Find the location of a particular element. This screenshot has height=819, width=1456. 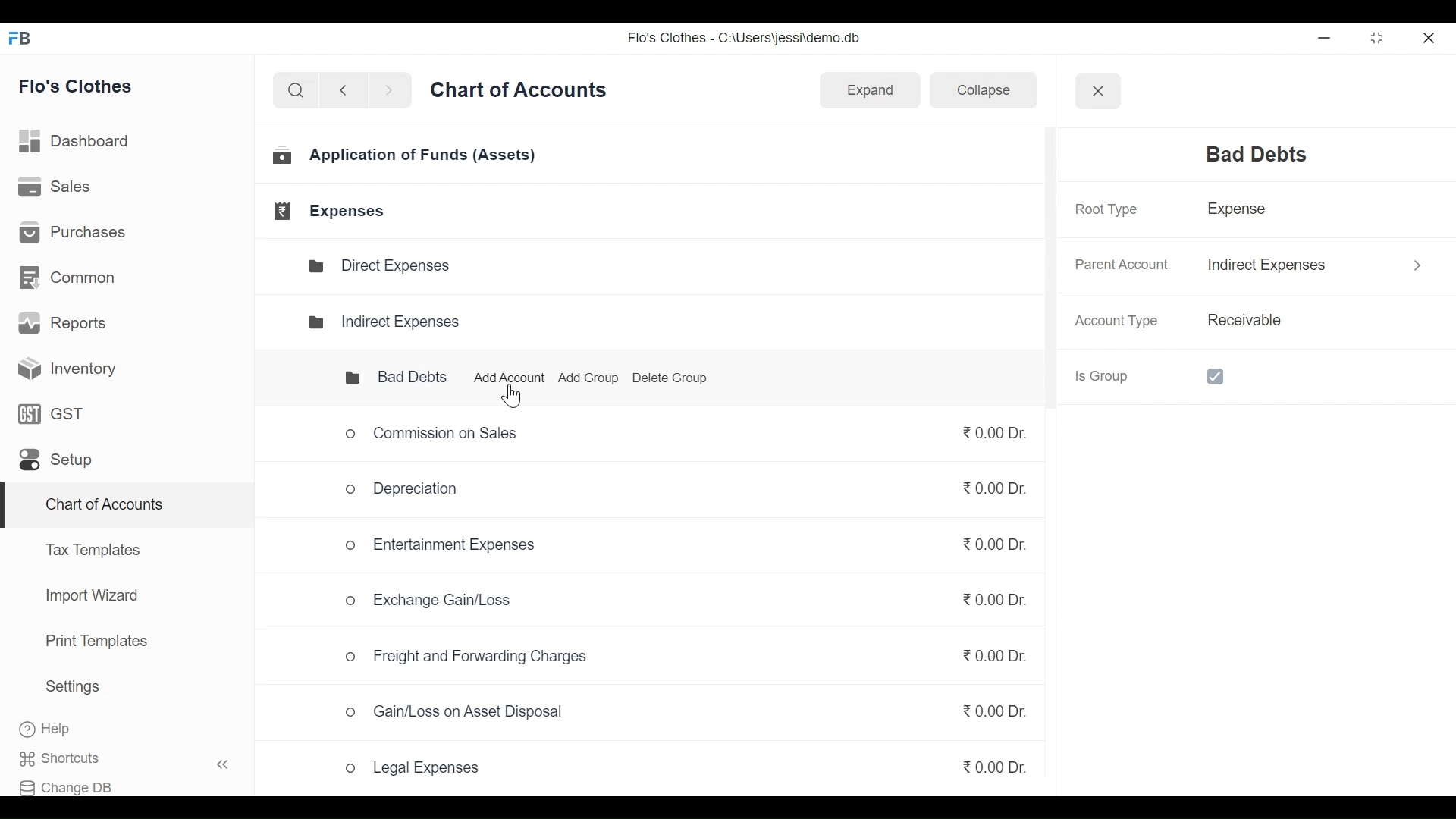

₹0.00 Dr. is located at coordinates (984, 661).